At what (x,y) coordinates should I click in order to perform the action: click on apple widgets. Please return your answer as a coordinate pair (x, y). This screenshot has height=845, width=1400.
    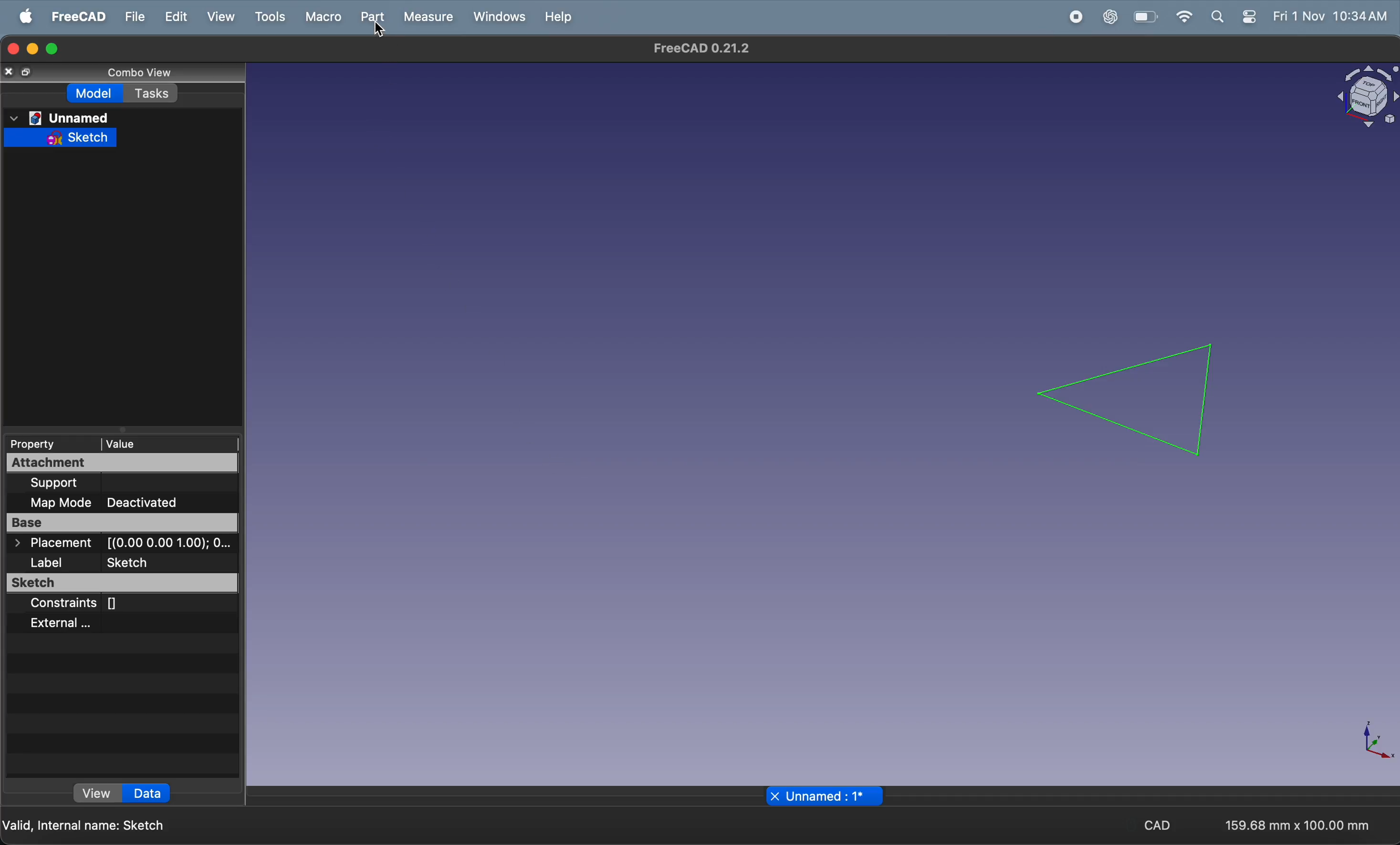
    Looking at the image, I should click on (1234, 17).